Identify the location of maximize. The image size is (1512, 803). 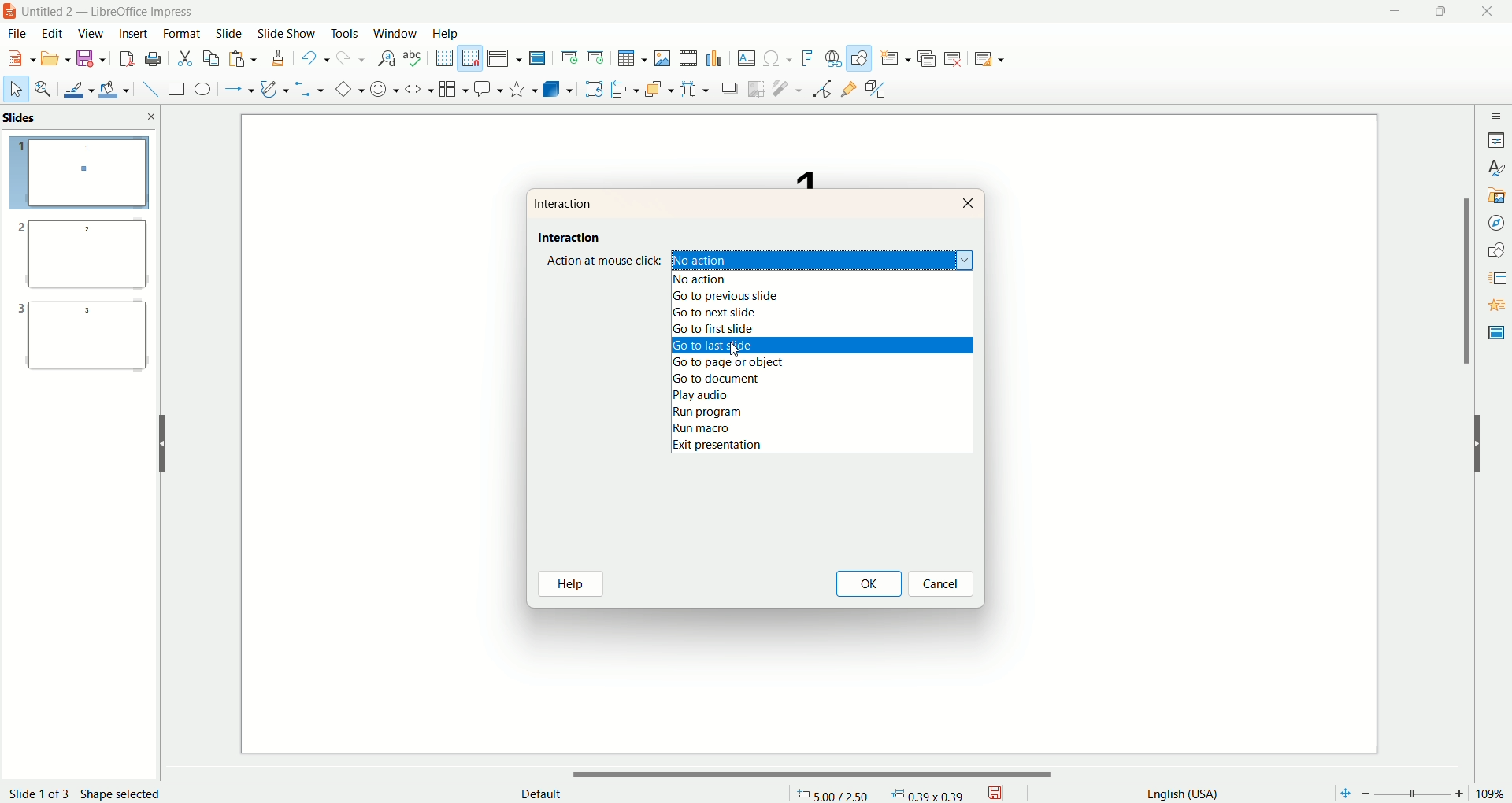
(1440, 13).